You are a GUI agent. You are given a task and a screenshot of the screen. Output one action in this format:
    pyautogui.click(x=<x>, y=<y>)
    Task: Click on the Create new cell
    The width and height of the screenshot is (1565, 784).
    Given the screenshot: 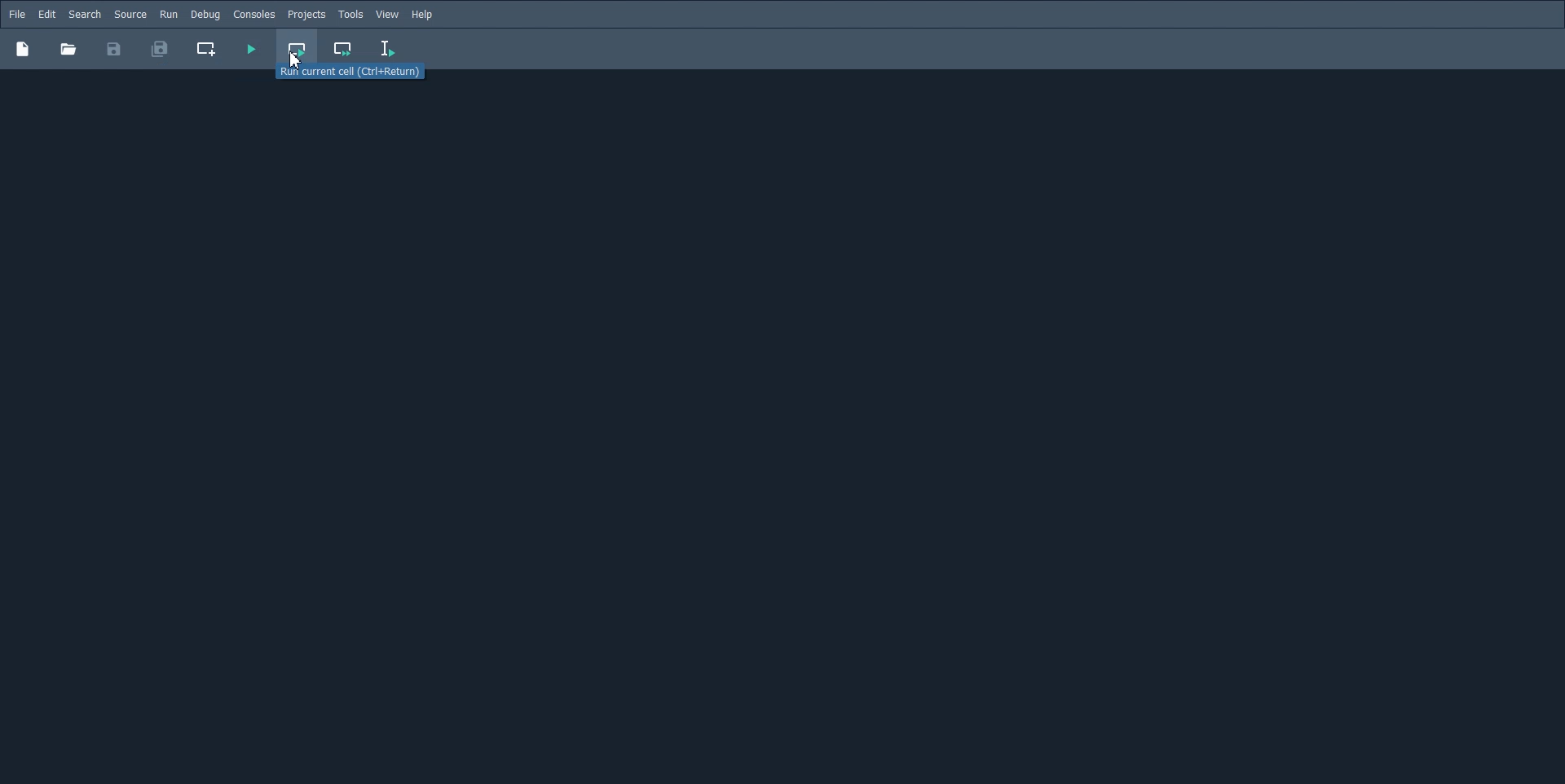 What is the action you would take?
    pyautogui.click(x=207, y=49)
    